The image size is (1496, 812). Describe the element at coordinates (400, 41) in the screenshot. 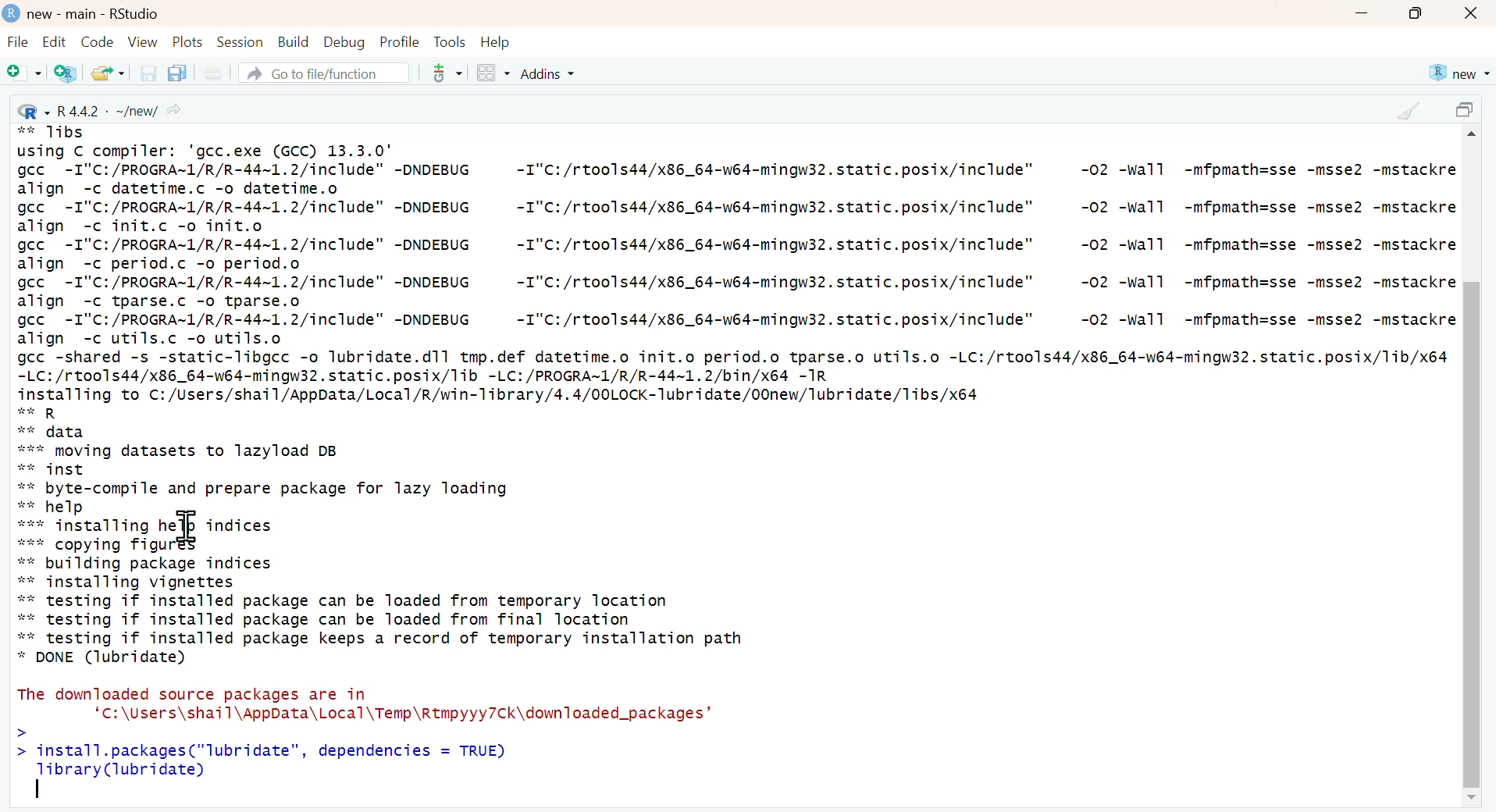

I see `Profile` at that location.